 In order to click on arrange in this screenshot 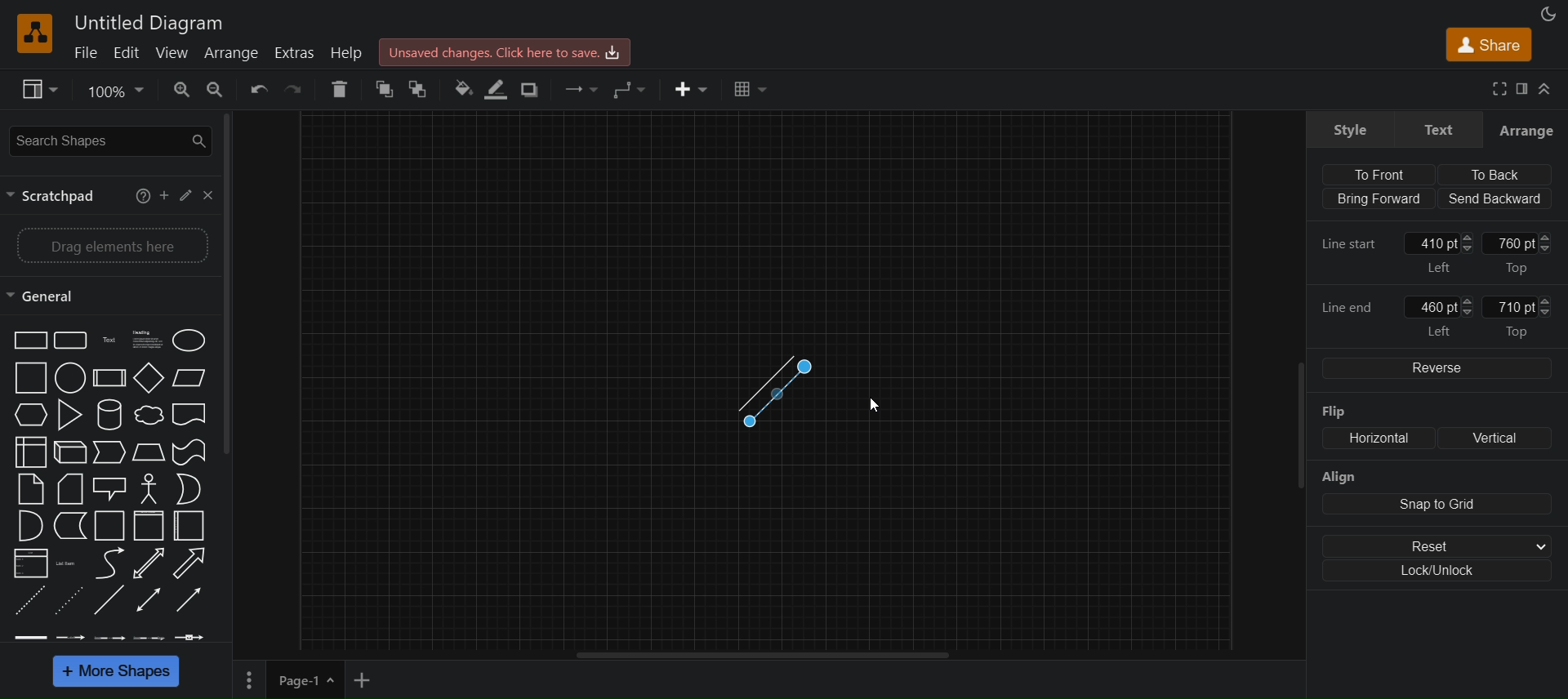, I will do `click(1527, 129)`.